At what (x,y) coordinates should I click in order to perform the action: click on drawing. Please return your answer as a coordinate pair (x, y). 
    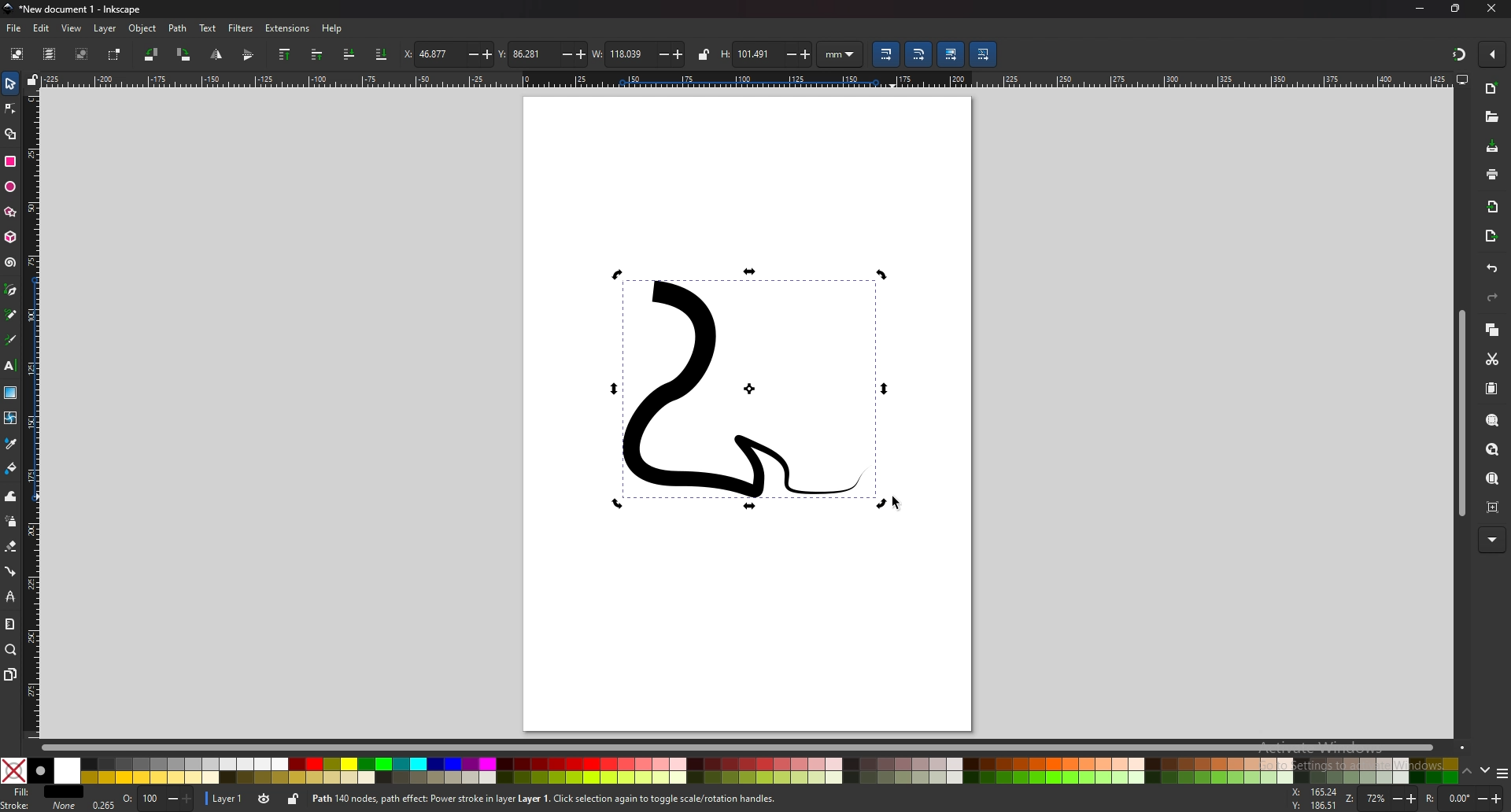
    Looking at the image, I should click on (752, 393).